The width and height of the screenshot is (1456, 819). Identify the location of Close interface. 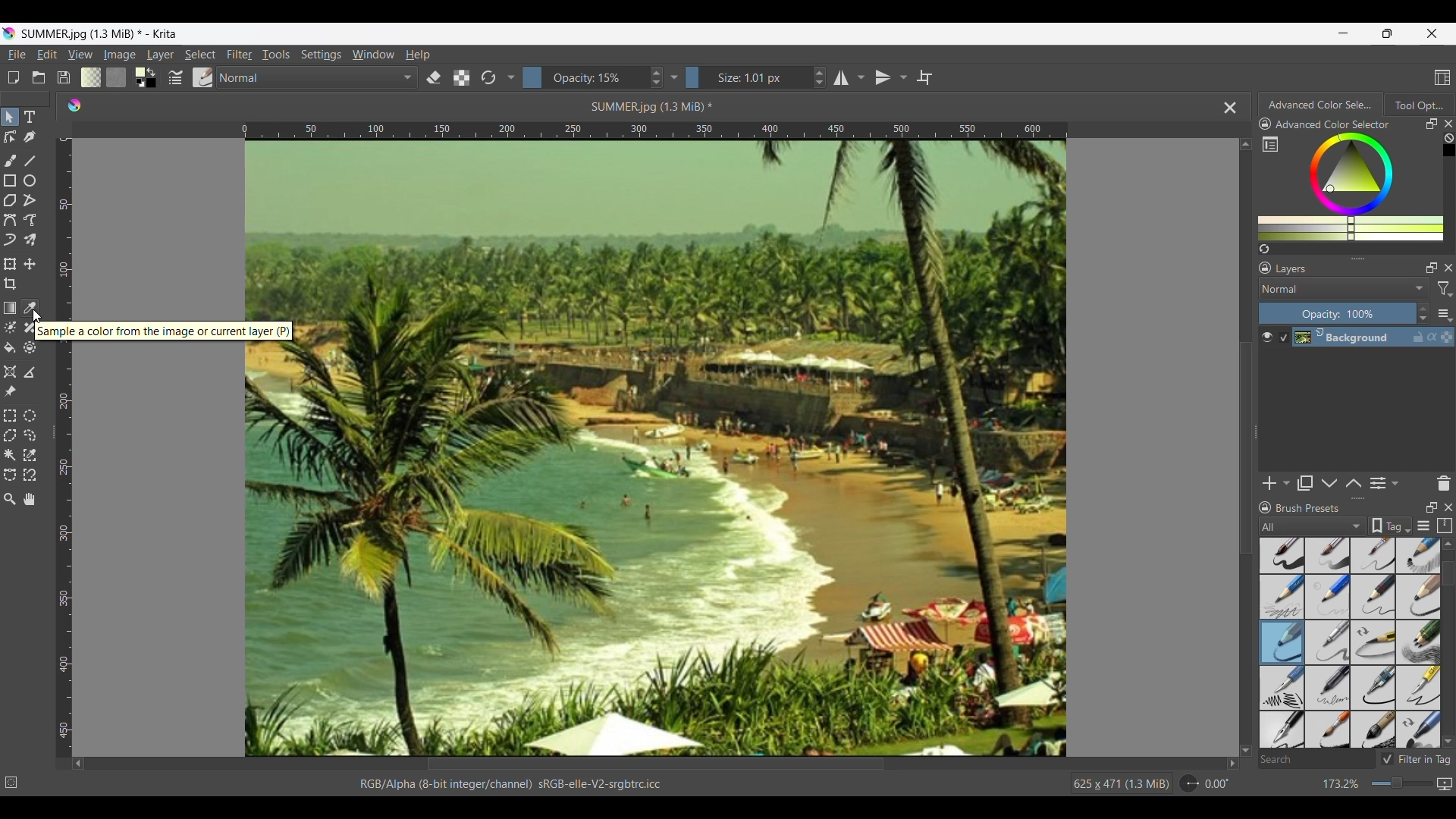
(1432, 33).